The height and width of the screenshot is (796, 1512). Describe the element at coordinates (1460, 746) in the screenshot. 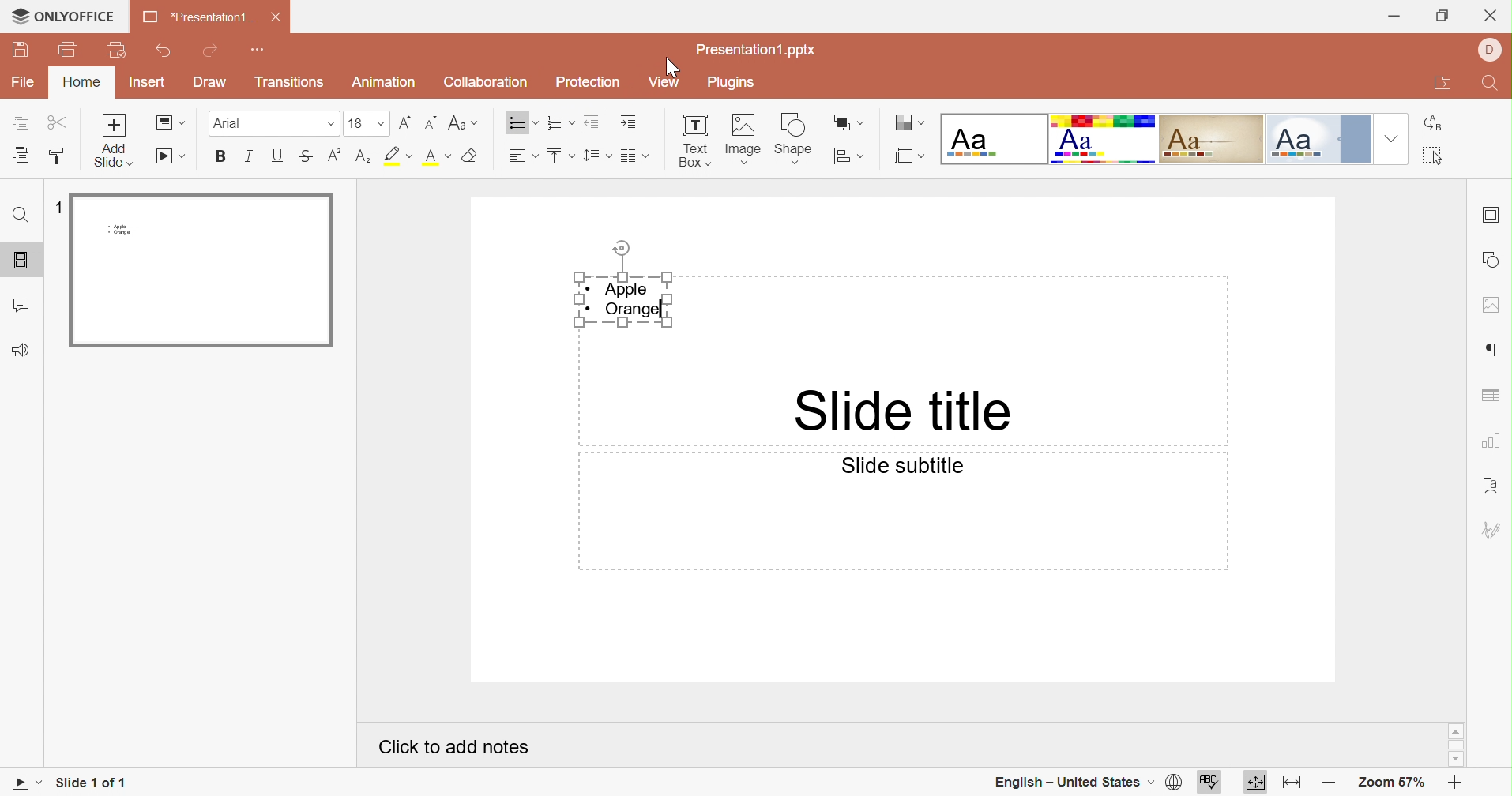

I see `Scroll Bar` at that location.